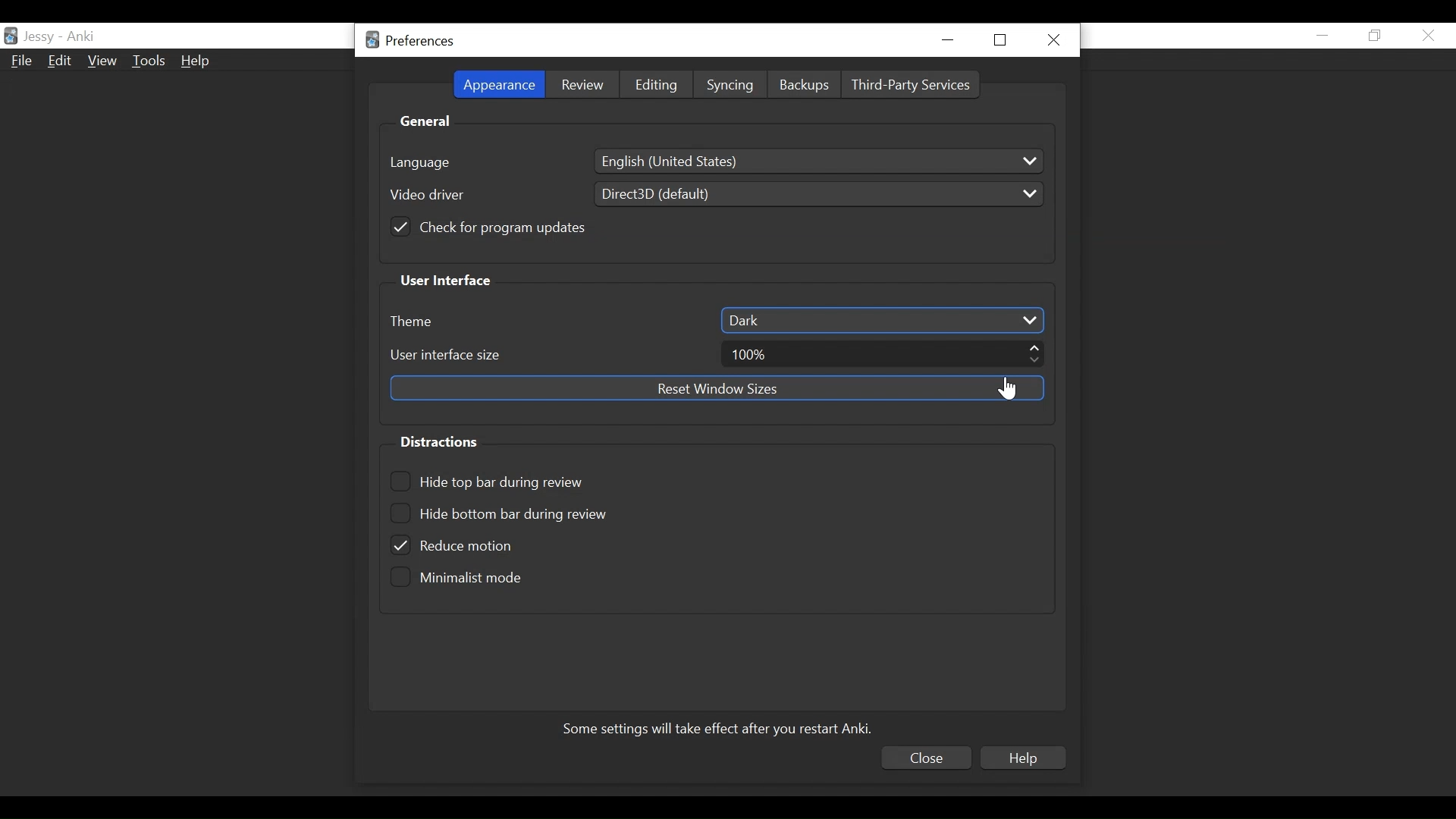 This screenshot has width=1456, height=819. Describe the element at coordinates (1428, 35) in the screenshot. I see `Close` at that location.